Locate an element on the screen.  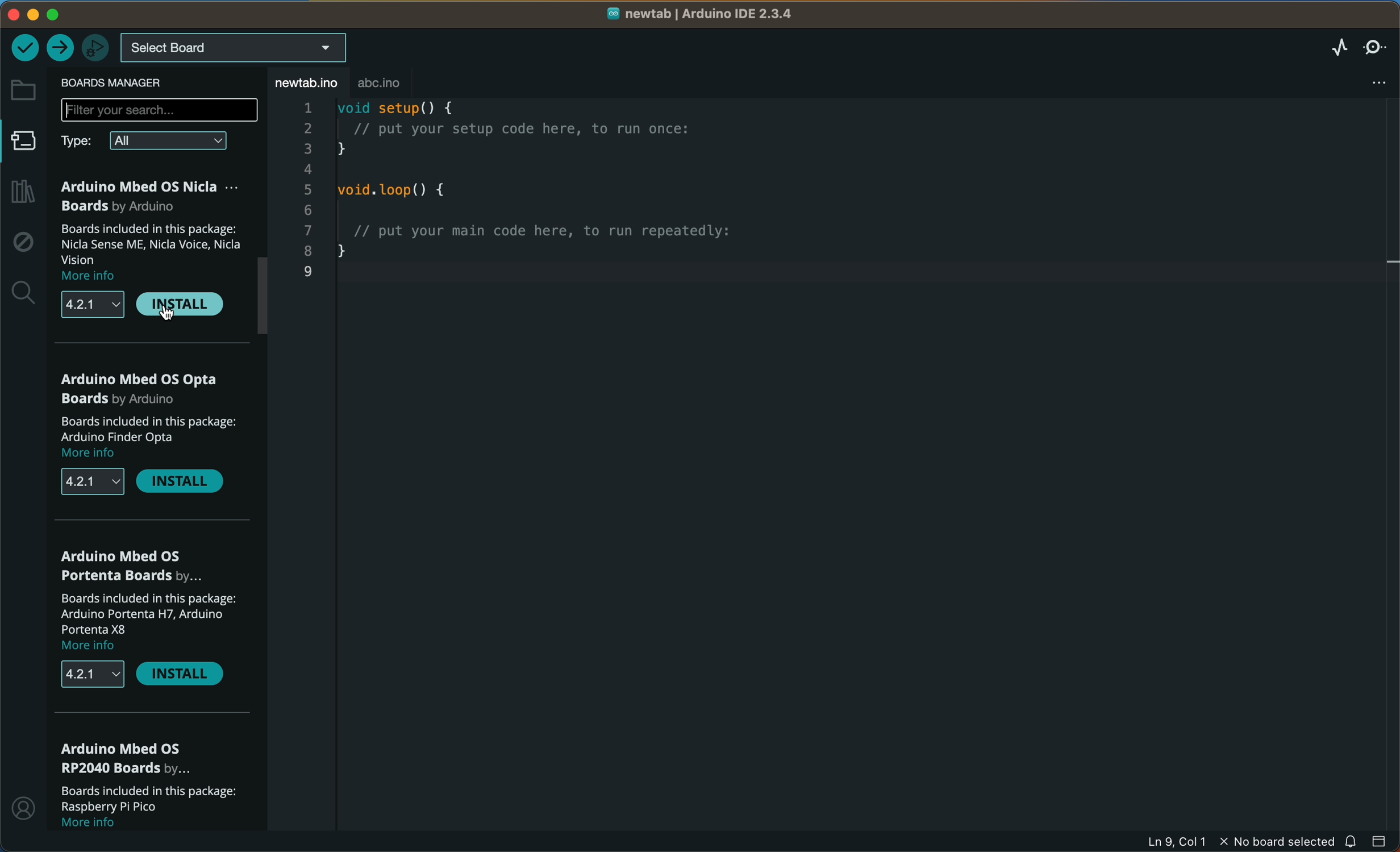
debugger is located at coordinates (98, 46).